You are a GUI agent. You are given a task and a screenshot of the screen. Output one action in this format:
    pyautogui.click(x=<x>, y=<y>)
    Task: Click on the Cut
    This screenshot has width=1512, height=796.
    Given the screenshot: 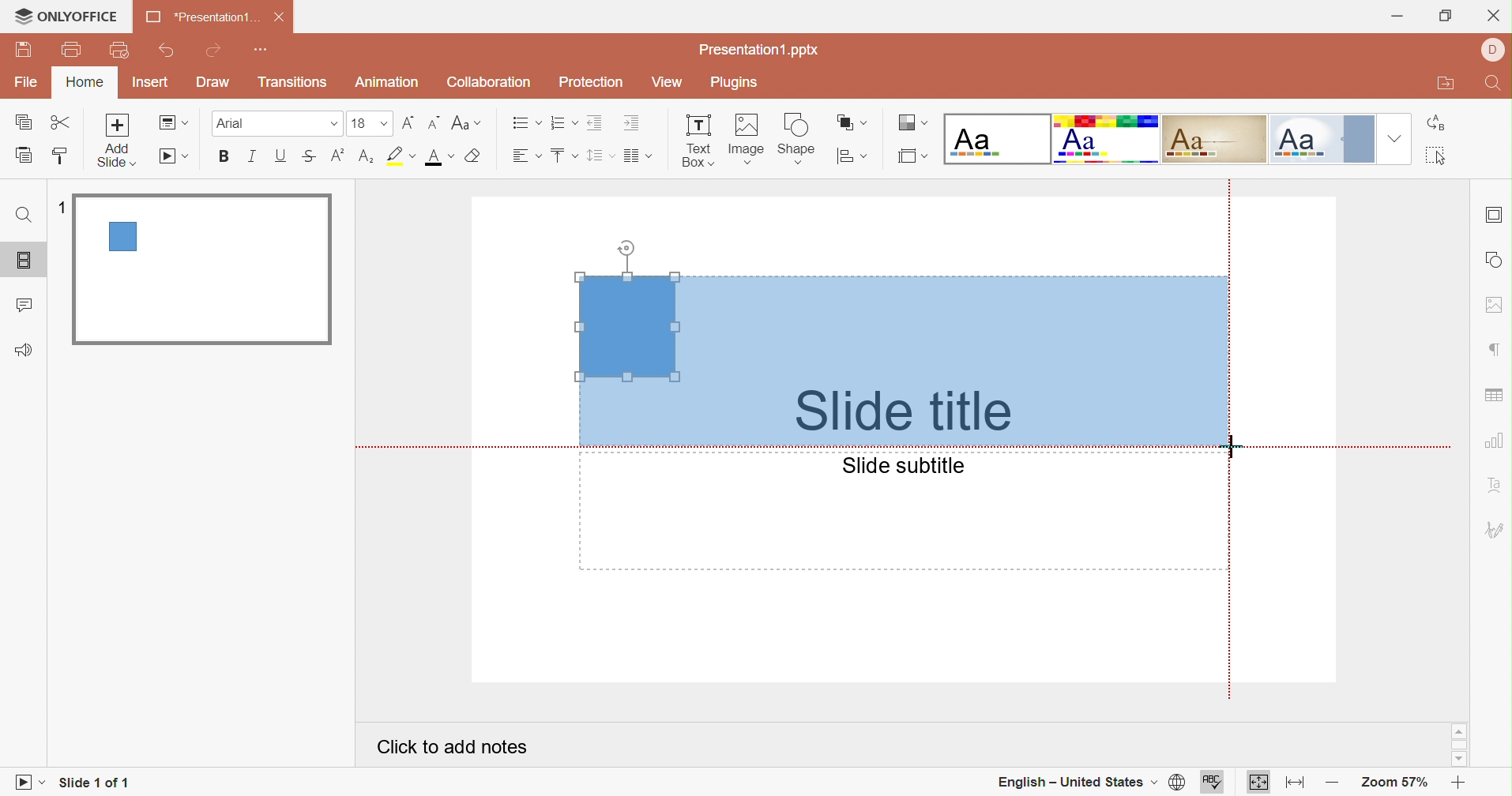 What is the action you would take?
    pyautogui.click(x=63, y=123)
    